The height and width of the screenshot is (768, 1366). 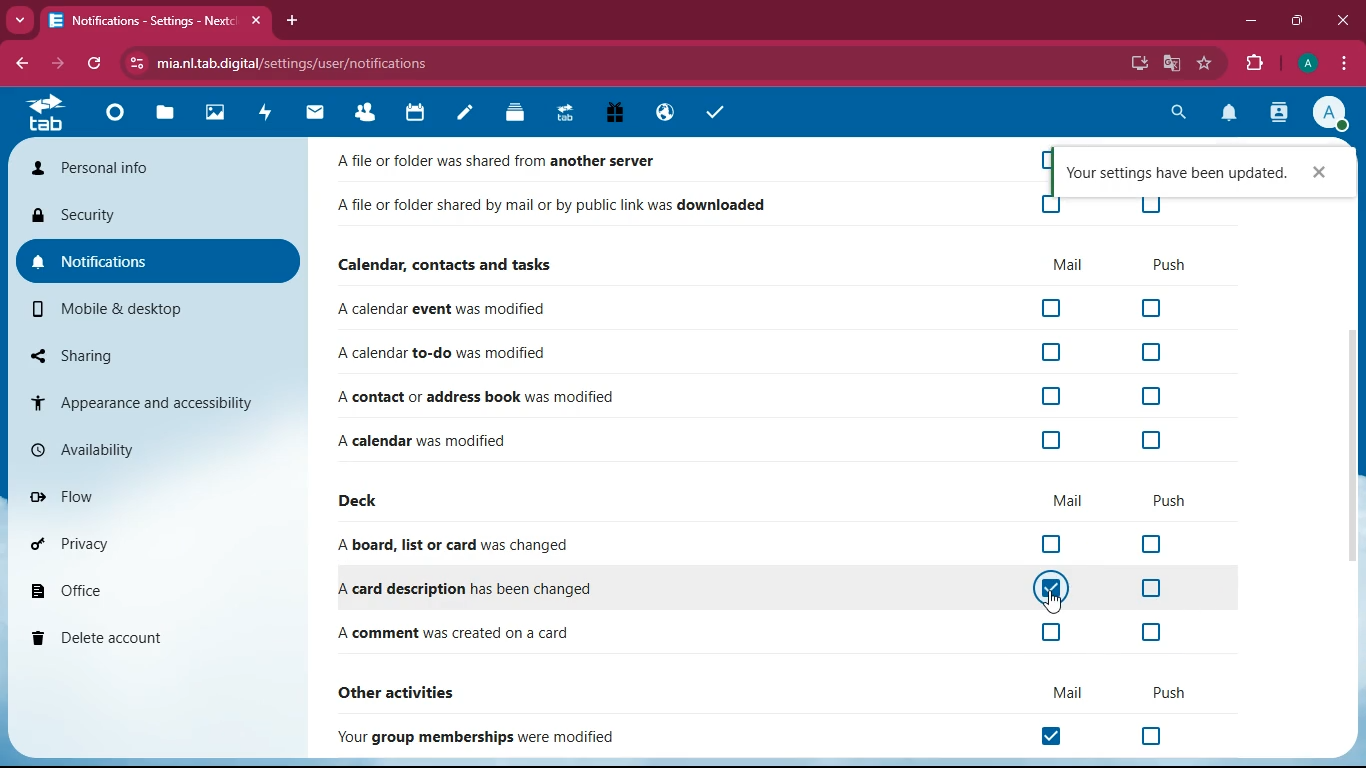 What do you see at coordinates (254, 21) in the screenshot?
I see `close` at bounding box center [254, 21].